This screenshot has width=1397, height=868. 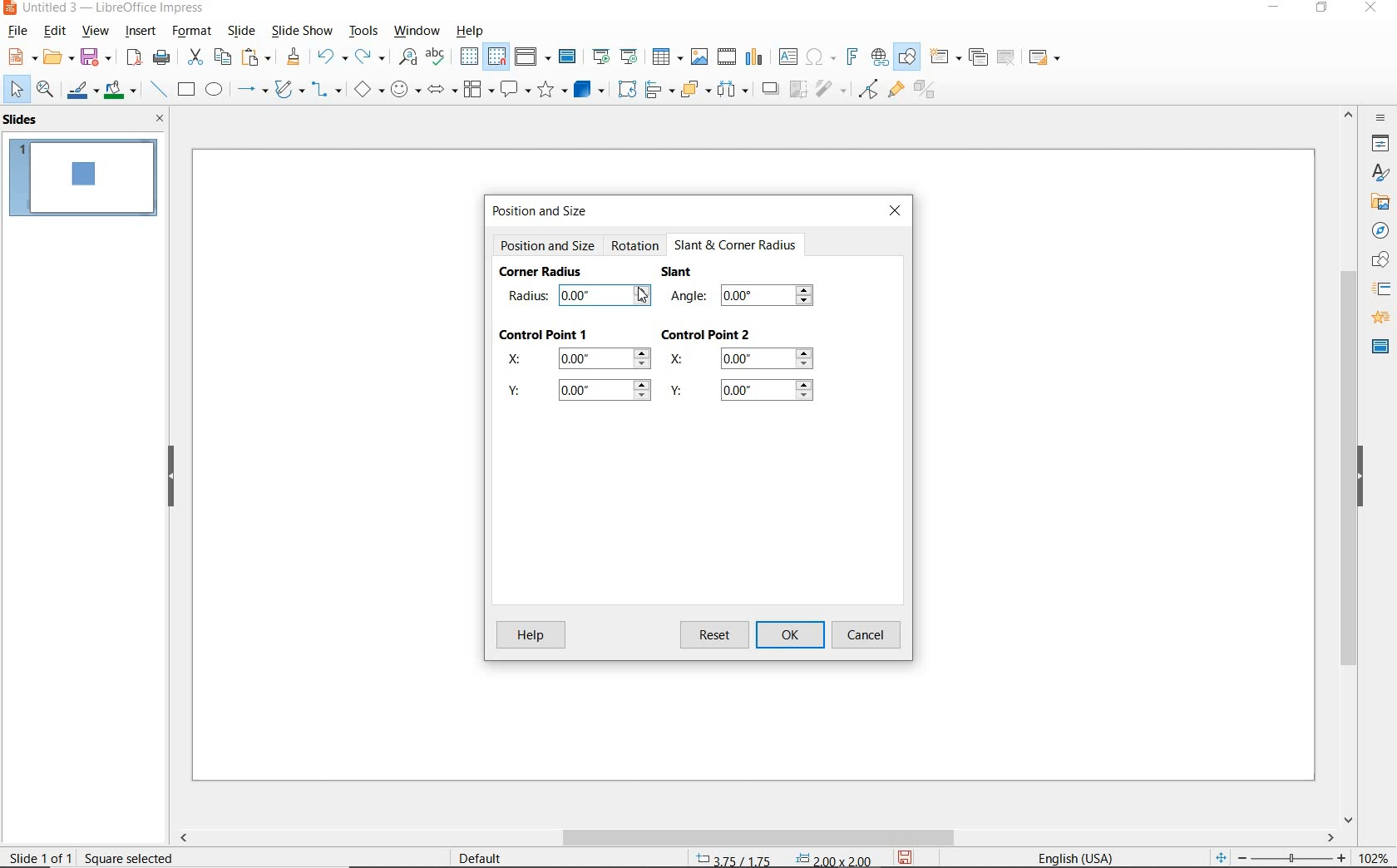 What do you see at coordinates (405, 60) in the screenshot?
I see `find and replace` at bounding box center [405, 60].